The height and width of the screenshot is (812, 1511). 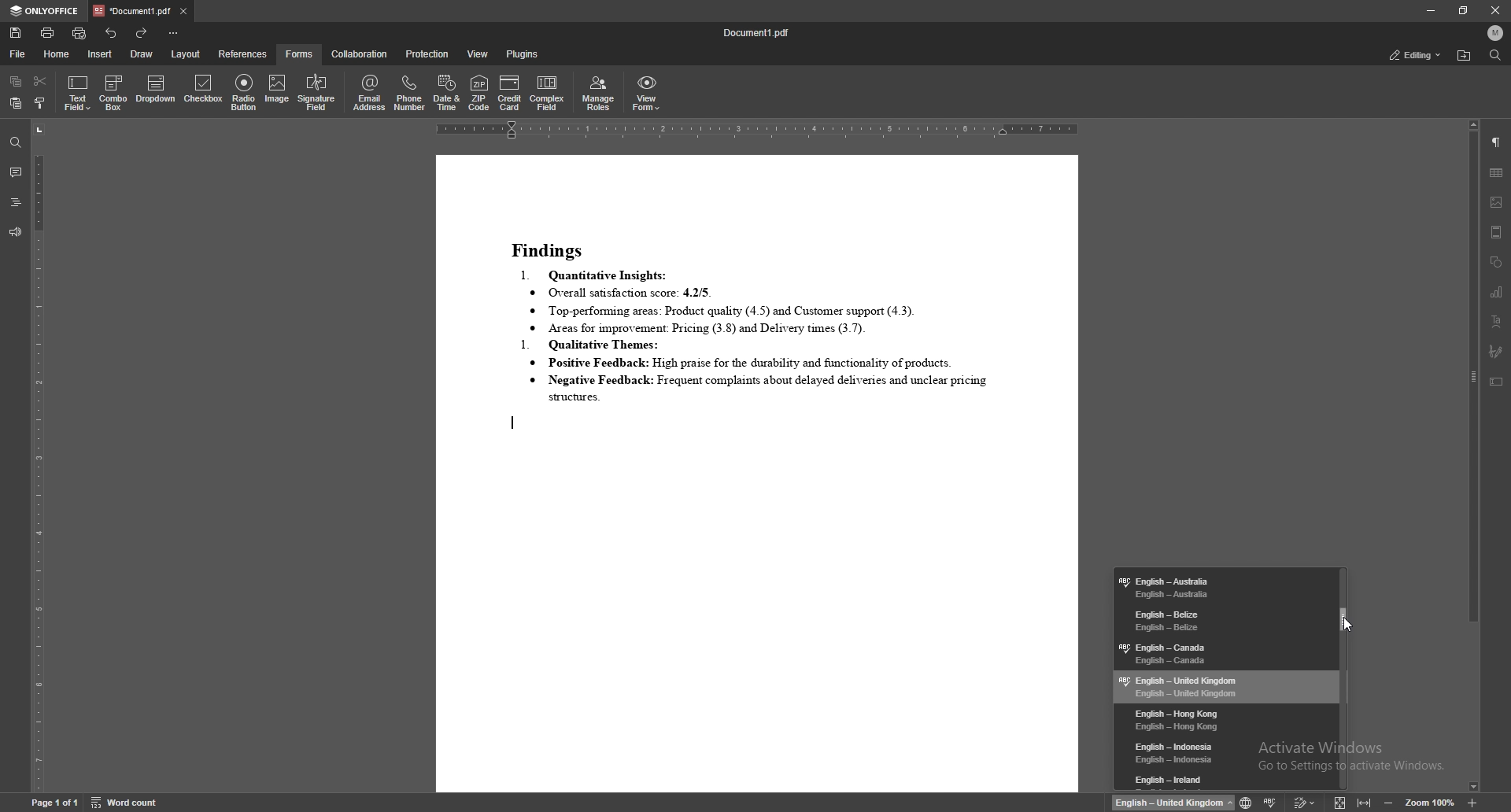 What do you see at coordinates (1431, 802) in the screenshot?
I see `zoom` at bounding box center [1431, 802].